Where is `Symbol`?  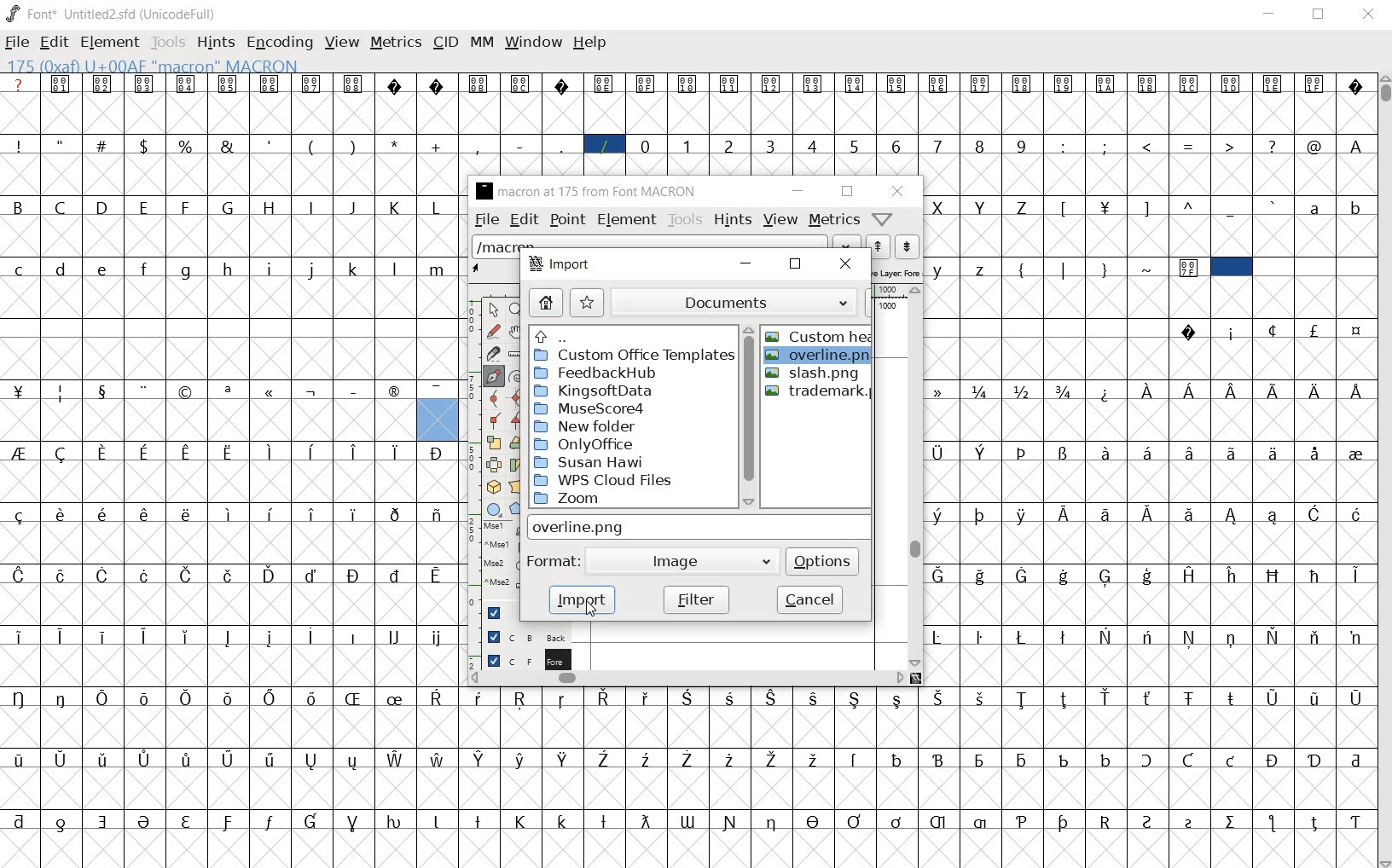 Symbol is located at coordinates (149, 636).